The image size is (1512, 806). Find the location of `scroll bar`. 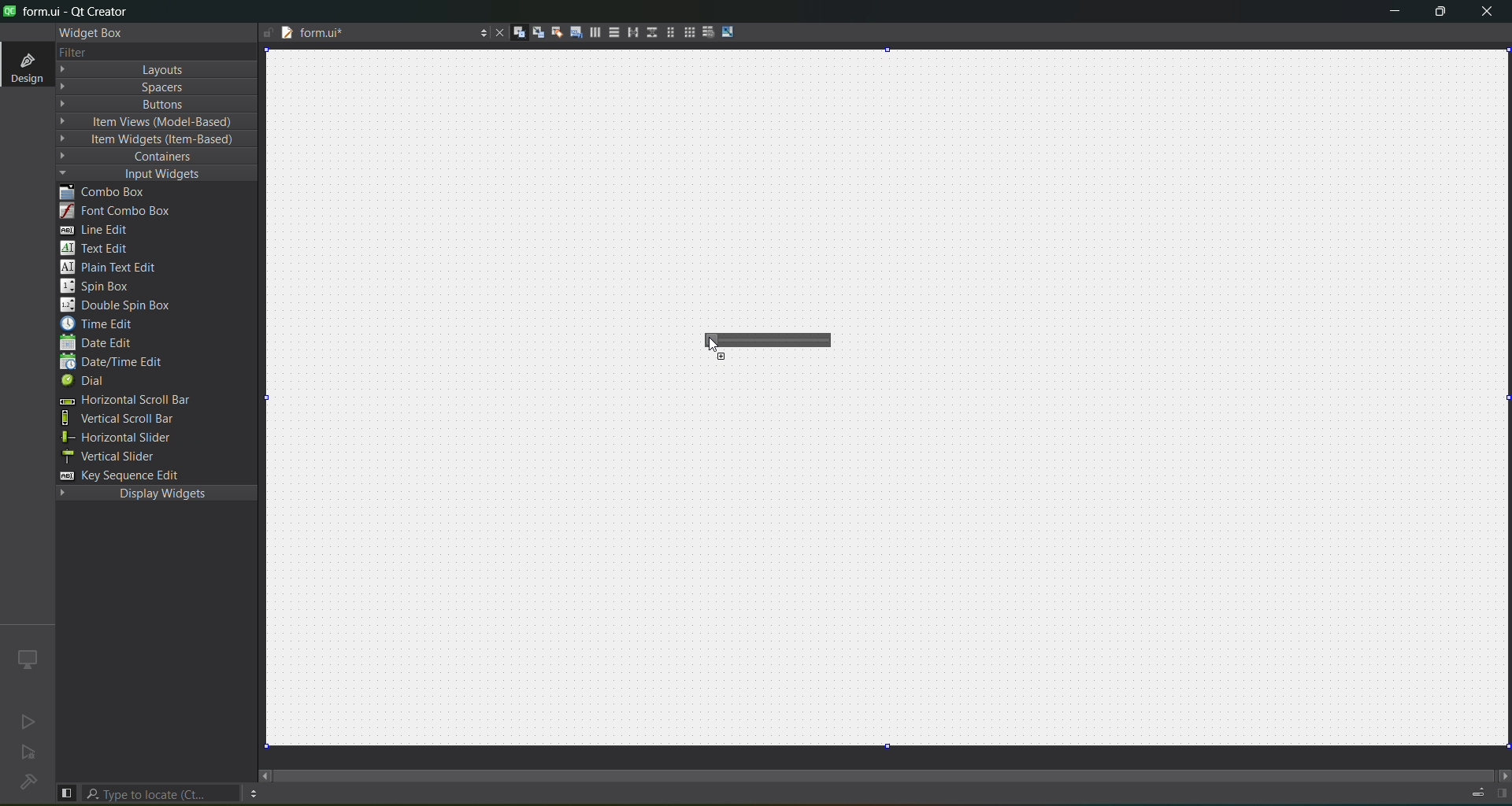

scroll bar is located at coordinates (892, 775).